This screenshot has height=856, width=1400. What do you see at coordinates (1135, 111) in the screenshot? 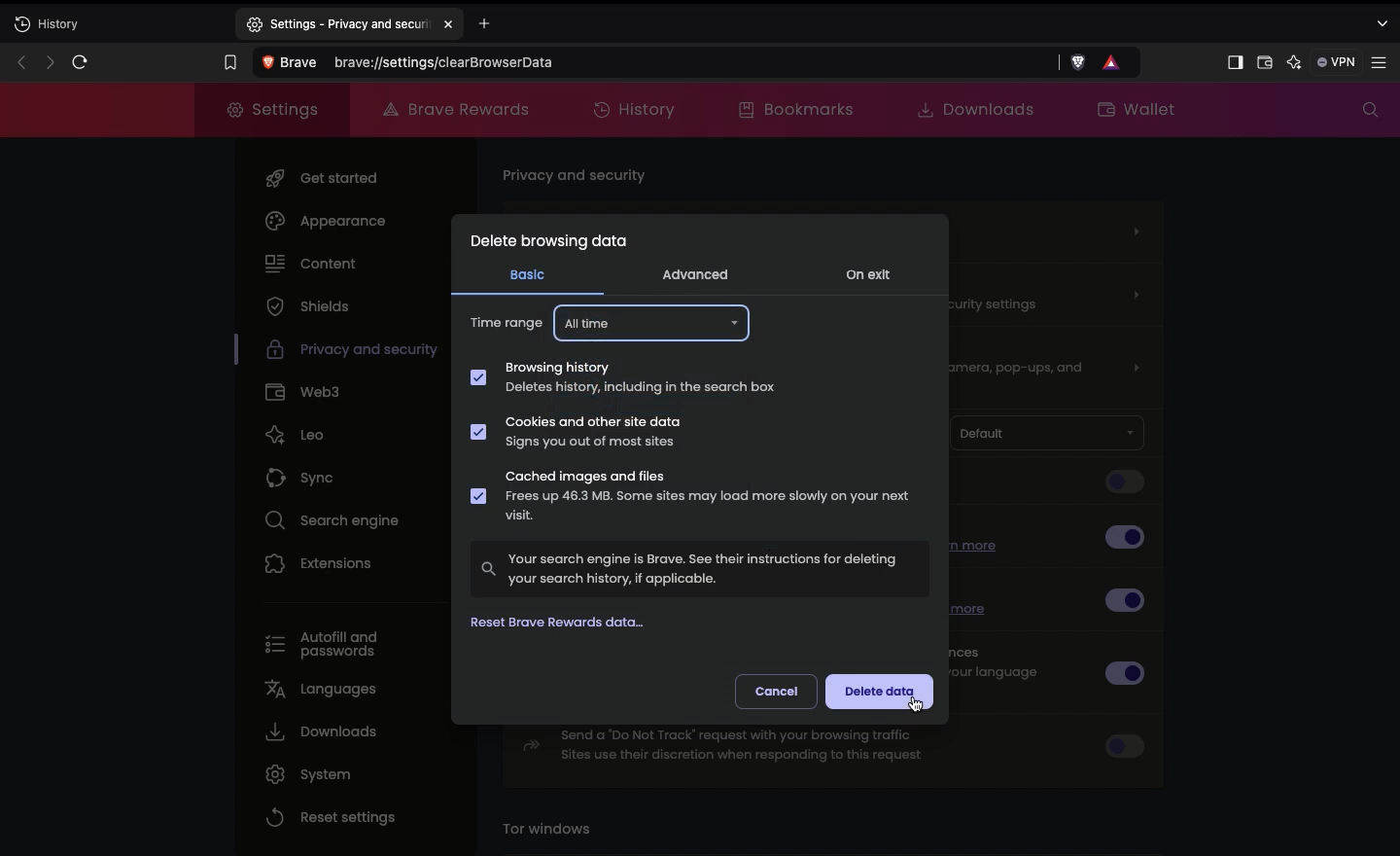
I see `Wallet` at bounding box center [1135, 111].